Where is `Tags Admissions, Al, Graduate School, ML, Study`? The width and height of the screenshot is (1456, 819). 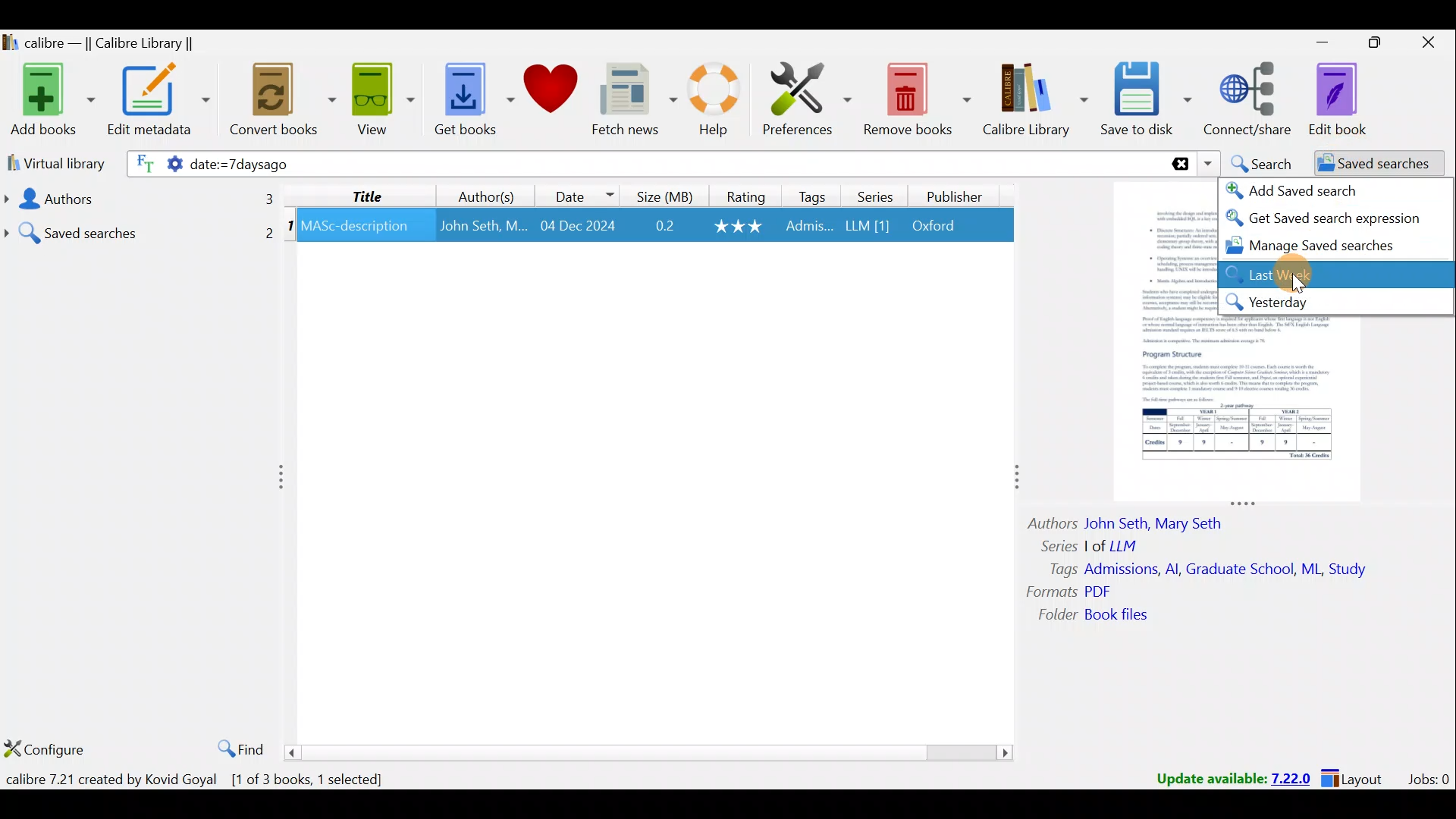 Tags Admissions, Al, Graduate School, ML, Study is located at coordinates (1210, 570).